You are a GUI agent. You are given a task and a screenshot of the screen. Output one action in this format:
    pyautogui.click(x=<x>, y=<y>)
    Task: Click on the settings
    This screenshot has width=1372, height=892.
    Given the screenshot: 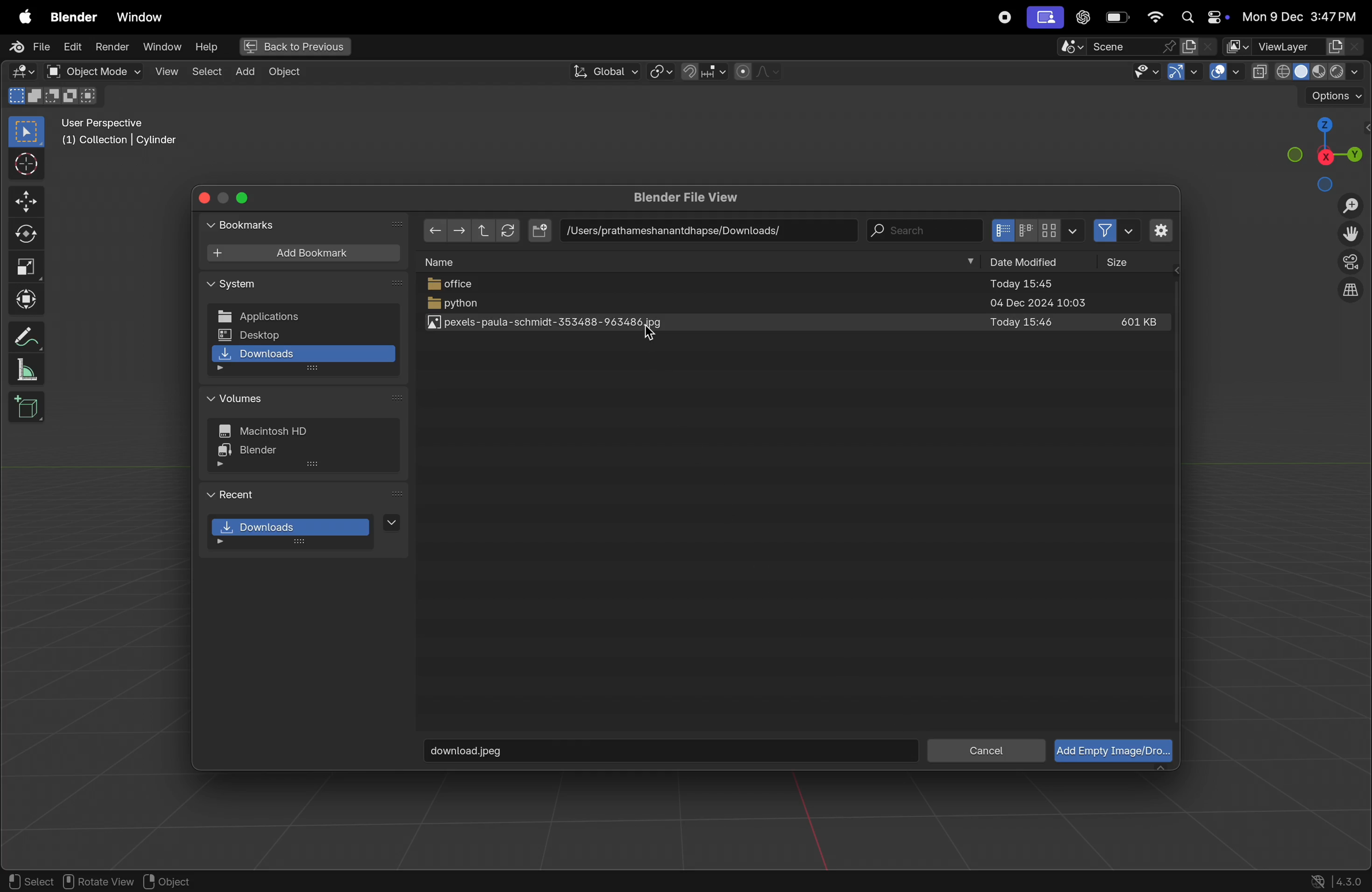 What is the action you would take?
    pyautogui.click(x=1160, y=230)
    